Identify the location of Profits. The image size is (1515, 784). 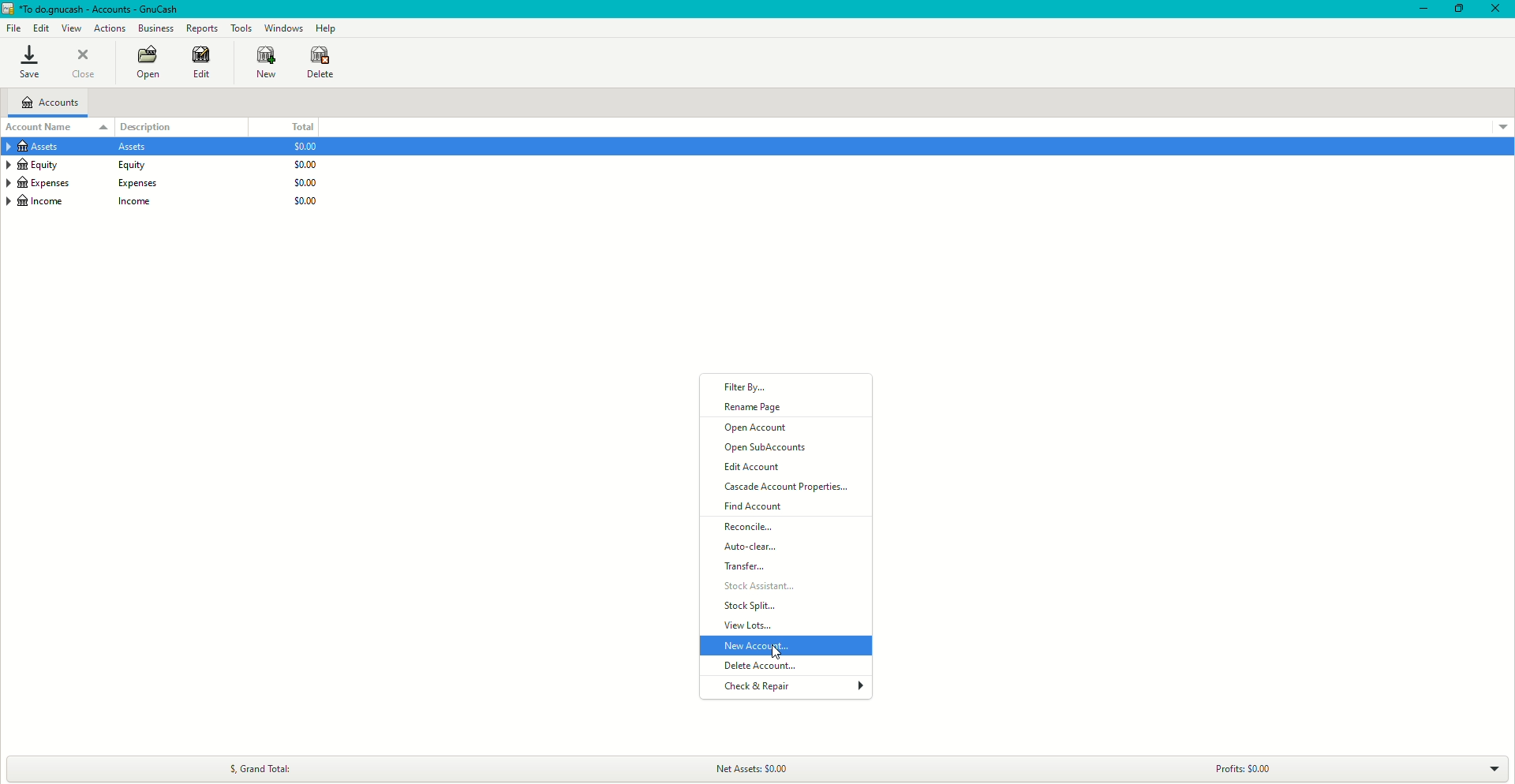
(1240, 768).